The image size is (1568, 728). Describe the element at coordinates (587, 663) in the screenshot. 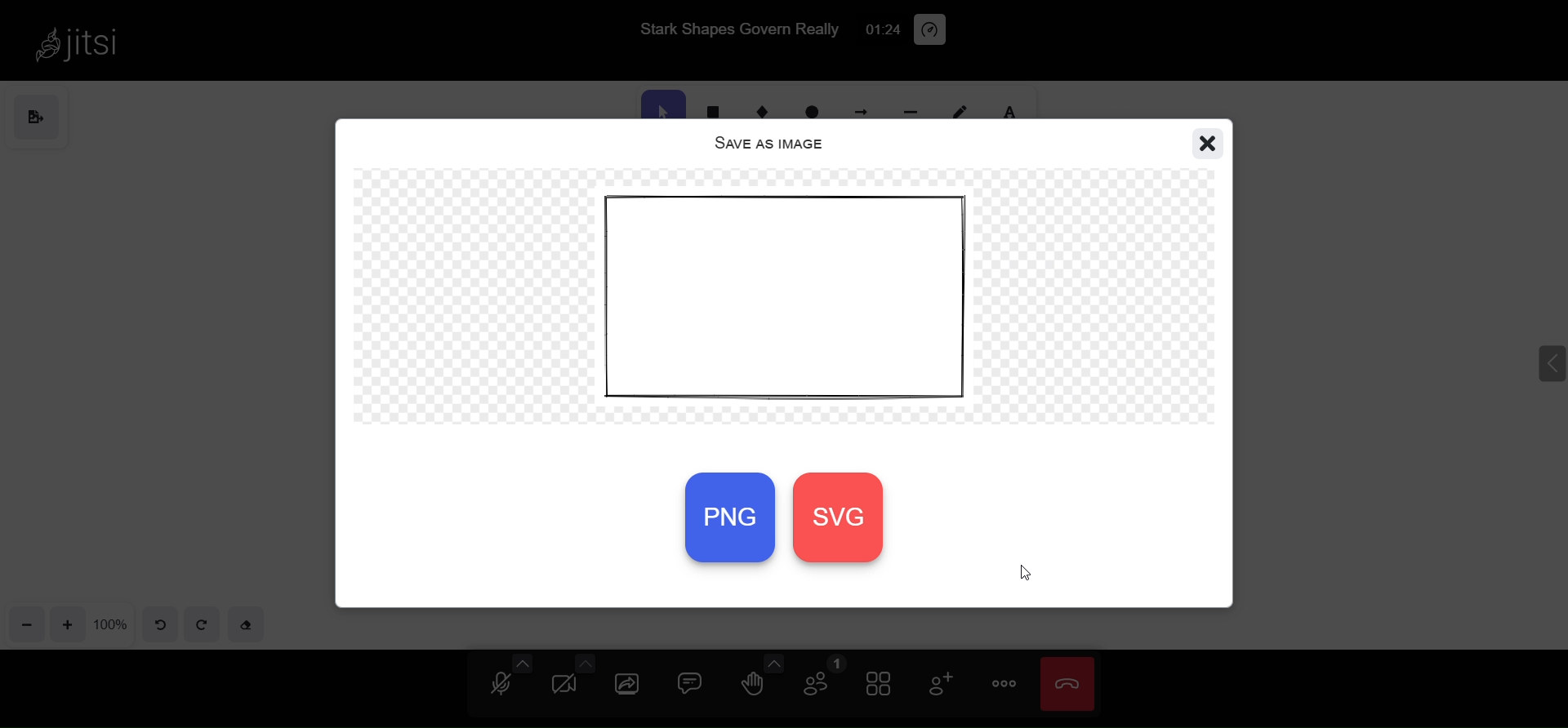

I see `more camera option` at that location.